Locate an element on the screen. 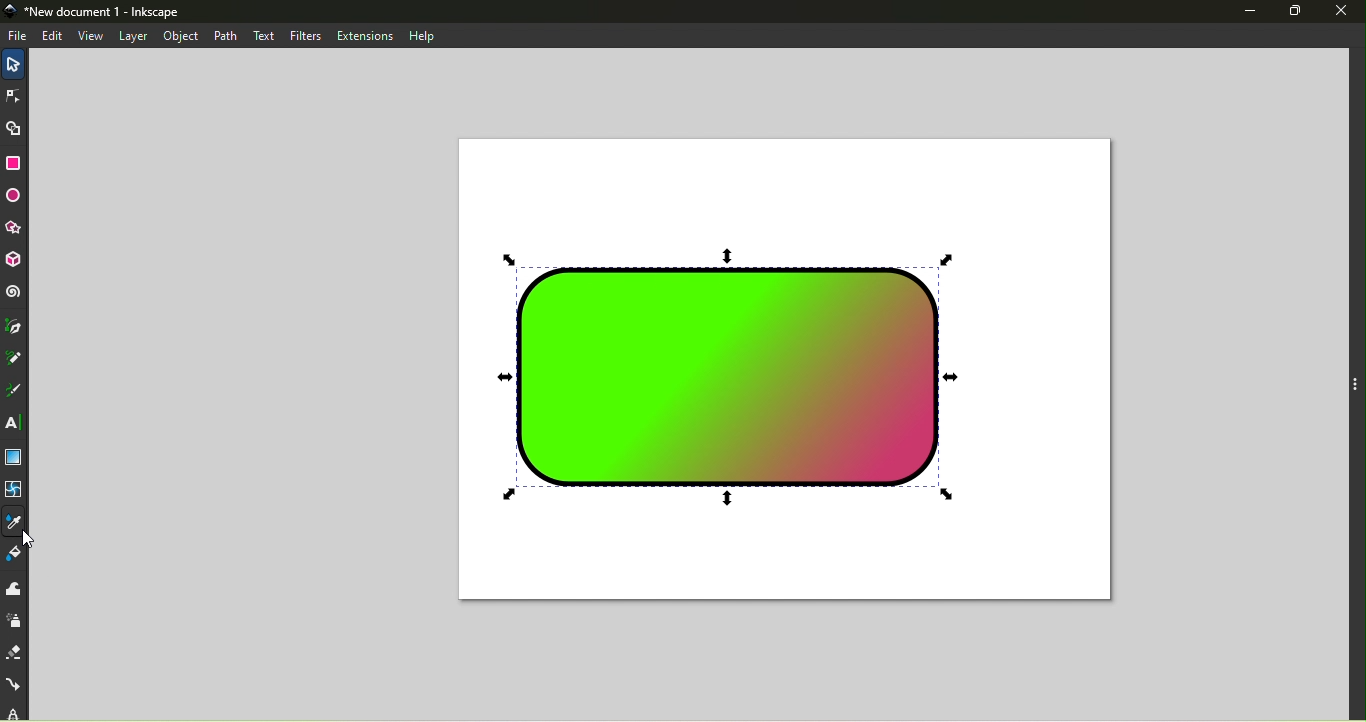 This screenshot has width=1366, height=722. Spiral is located at coordinates (16, 293).